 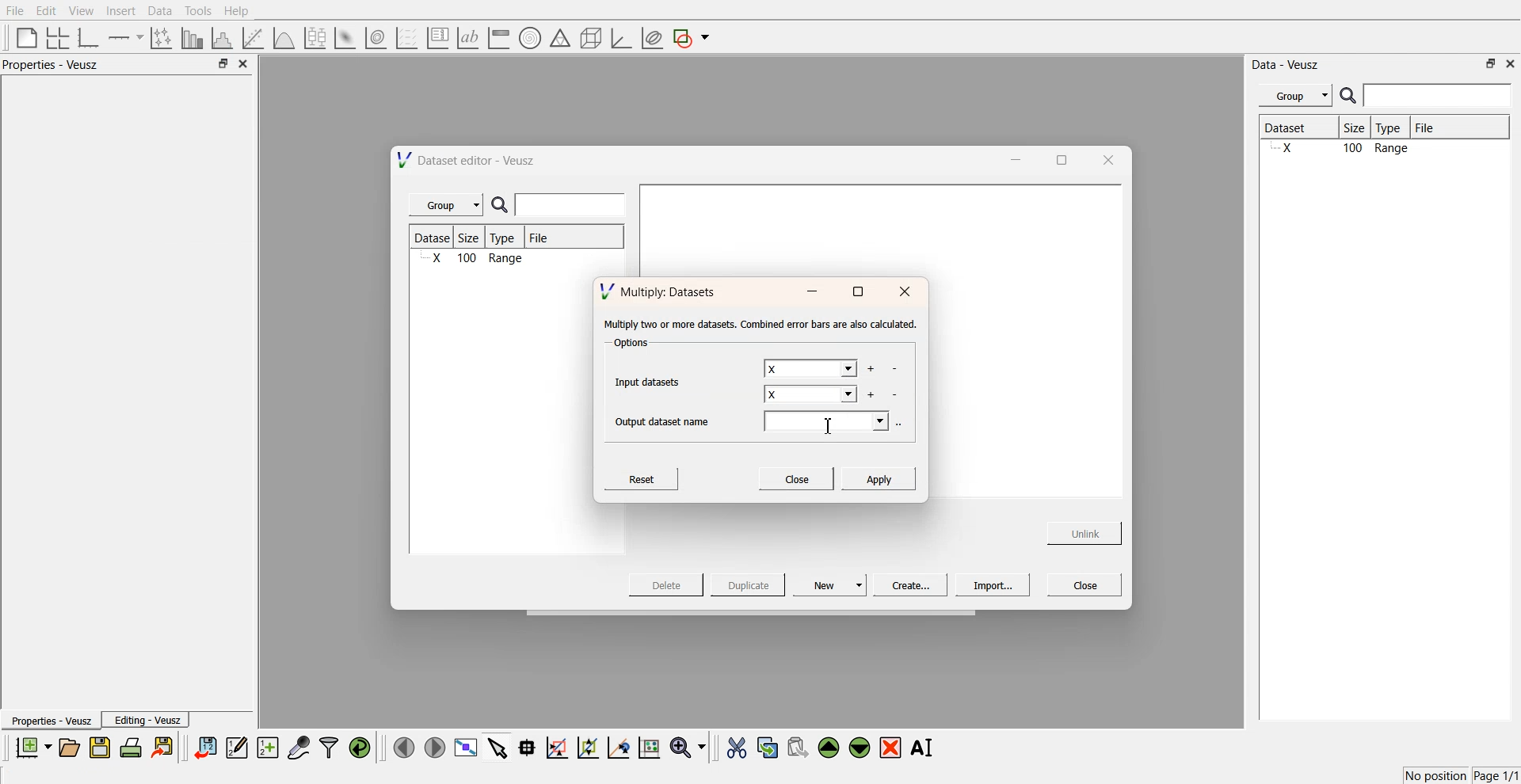 I want to click on Tools, so click(x=196, y=10).